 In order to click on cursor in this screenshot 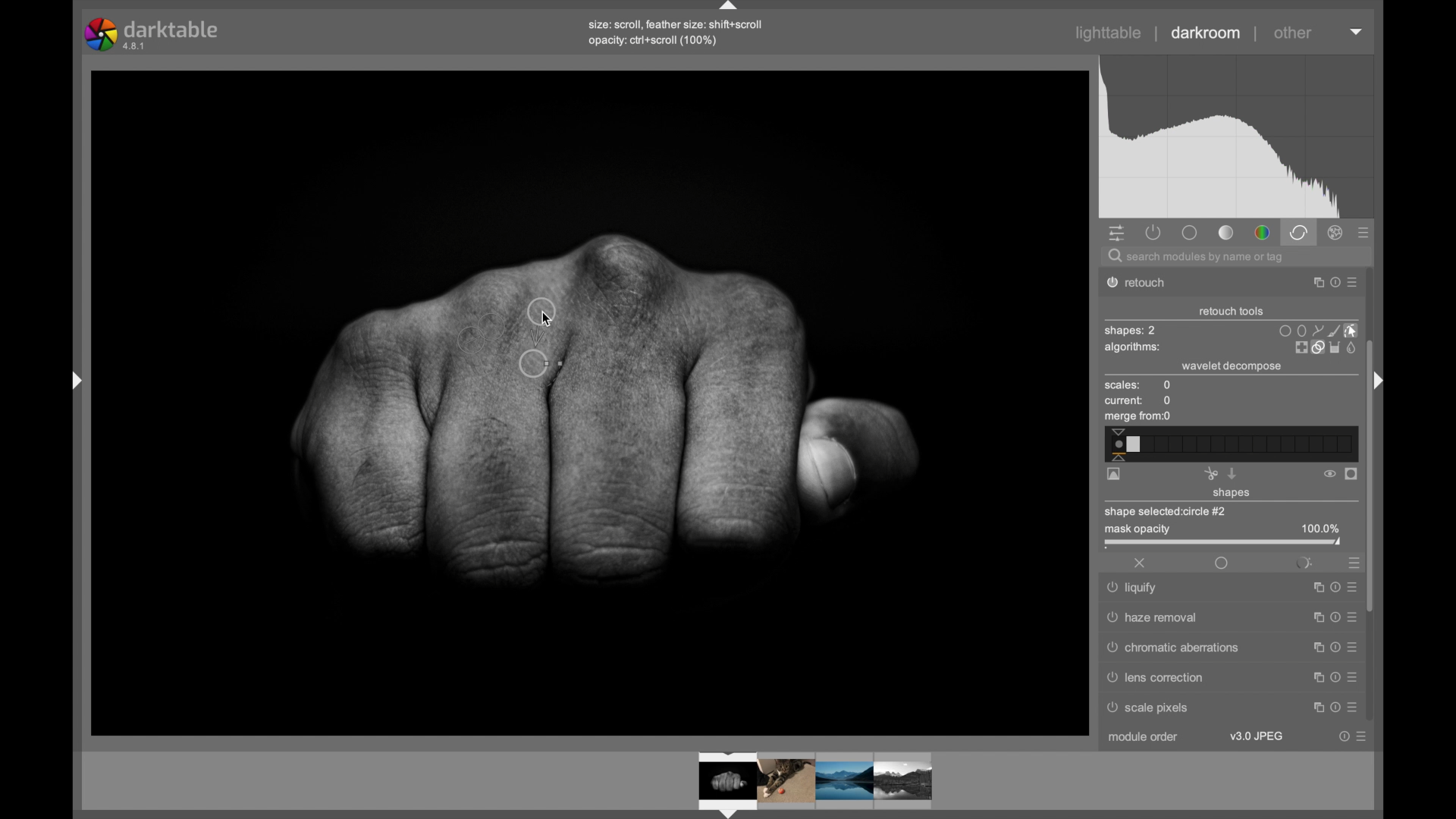, I will do `click(557, 320)`.